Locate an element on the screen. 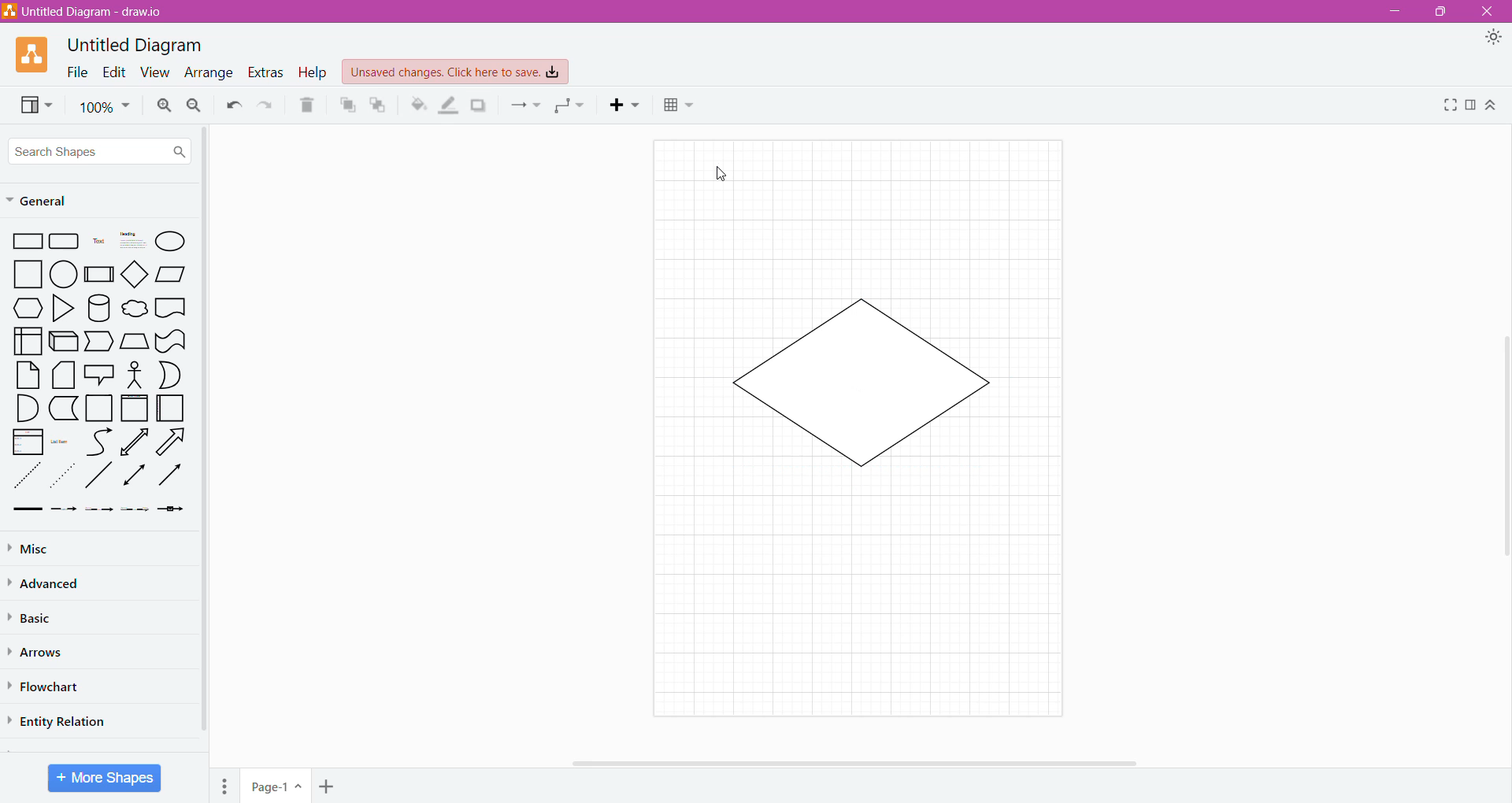  Edit is located at coordinates (111, 72).